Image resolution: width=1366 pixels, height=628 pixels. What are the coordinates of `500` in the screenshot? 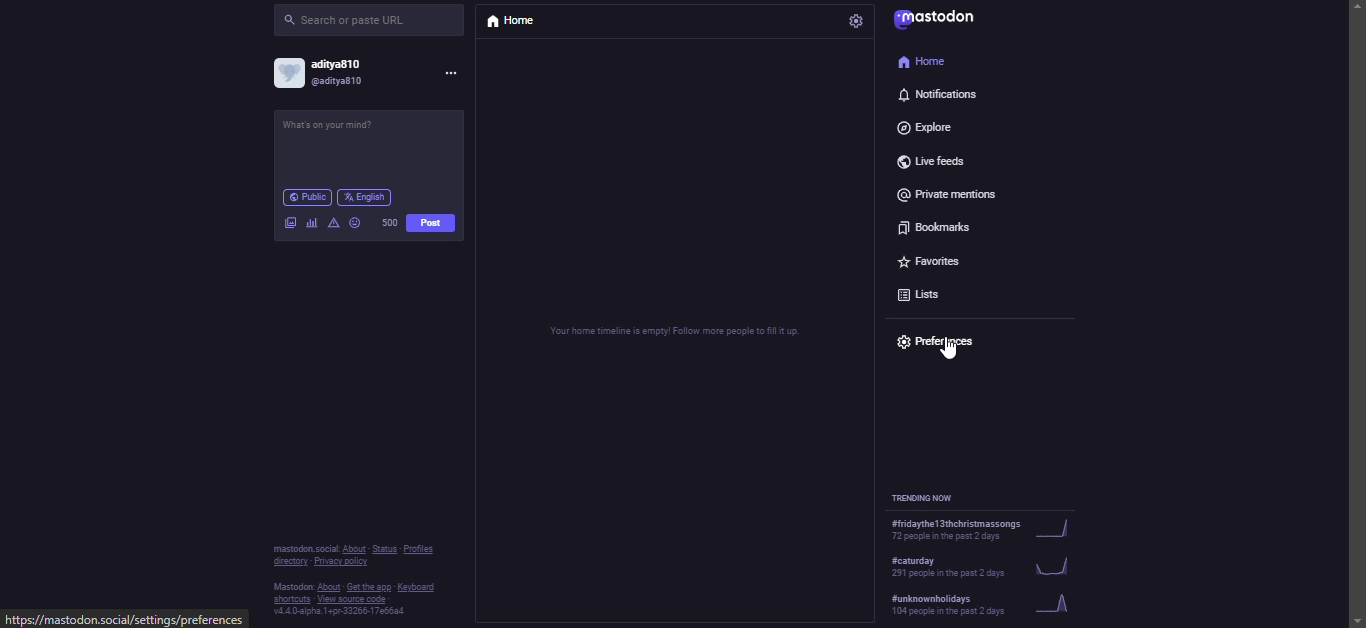 It's located at (389, 222).